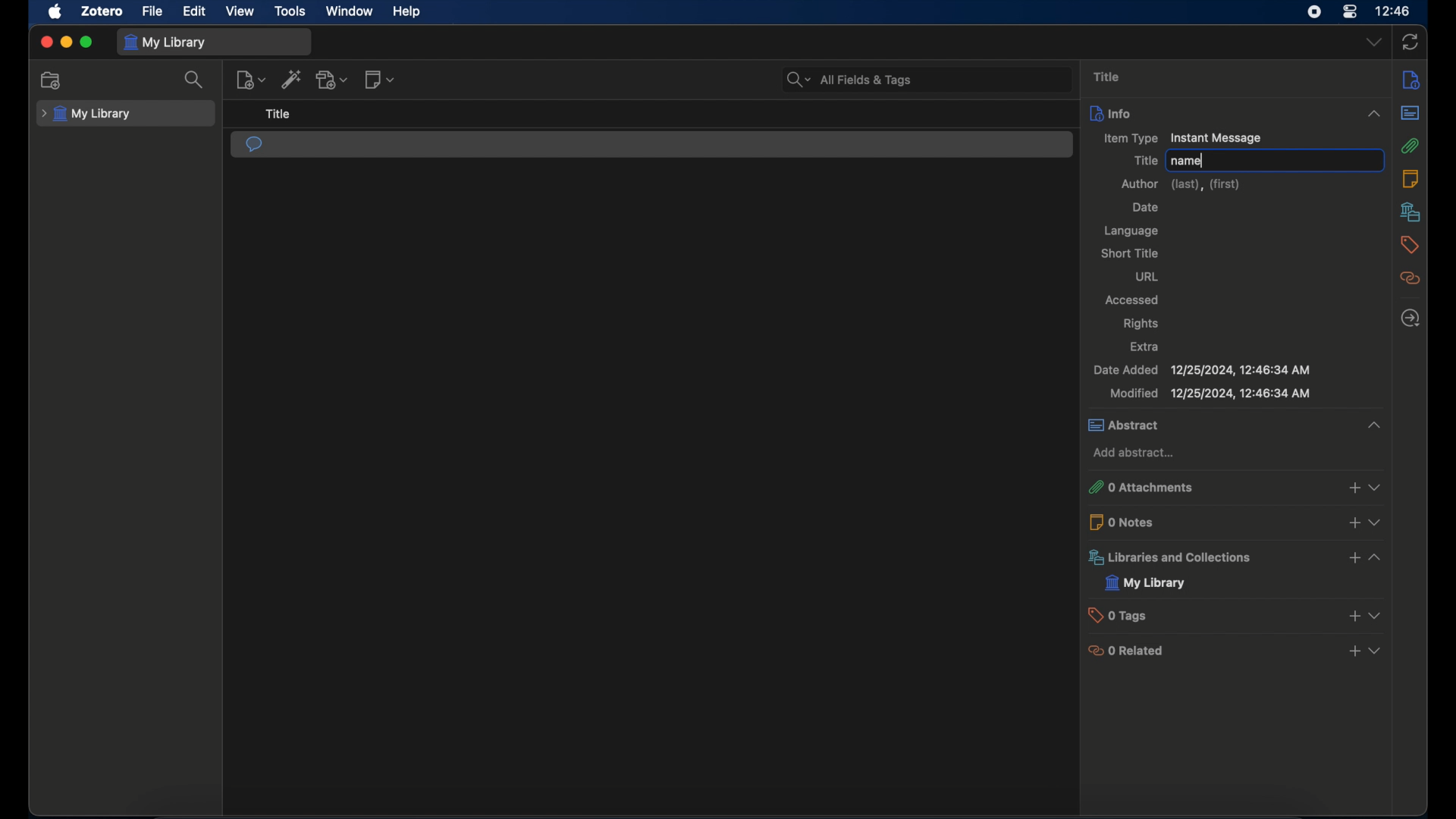 This screenshot has height=819, width=1456. I want to click on 0 notes, so click(1234, 521).